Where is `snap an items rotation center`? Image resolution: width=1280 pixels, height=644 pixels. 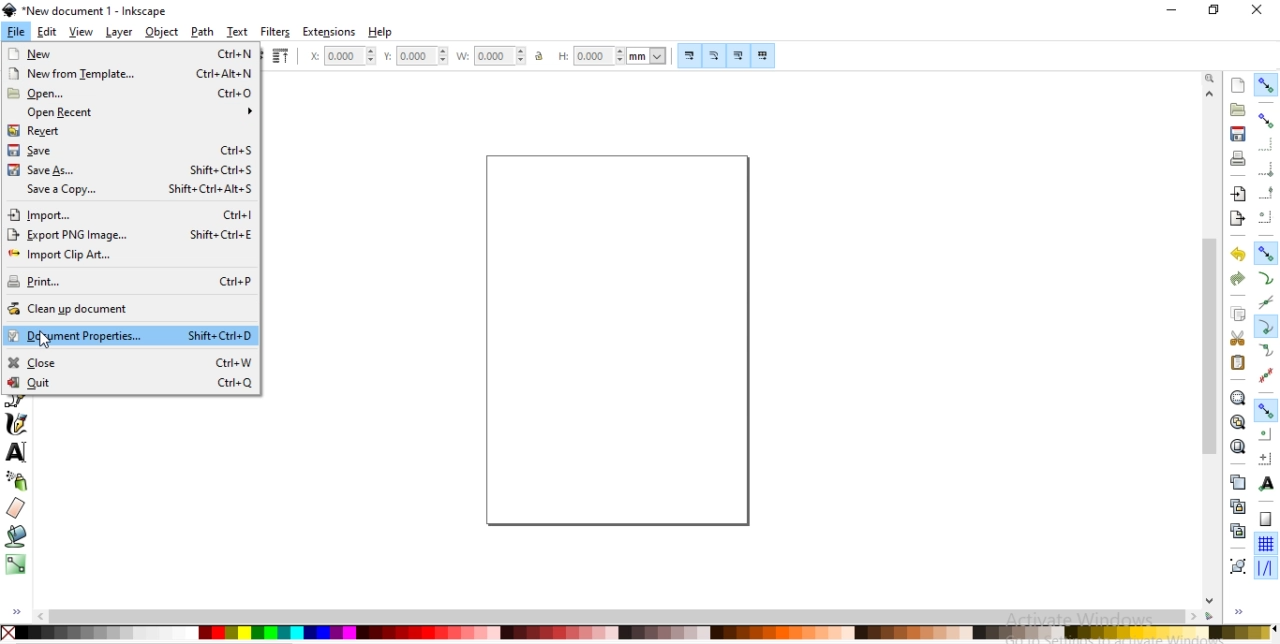
snap an items rotation center is located at coordinates (1266, 458).